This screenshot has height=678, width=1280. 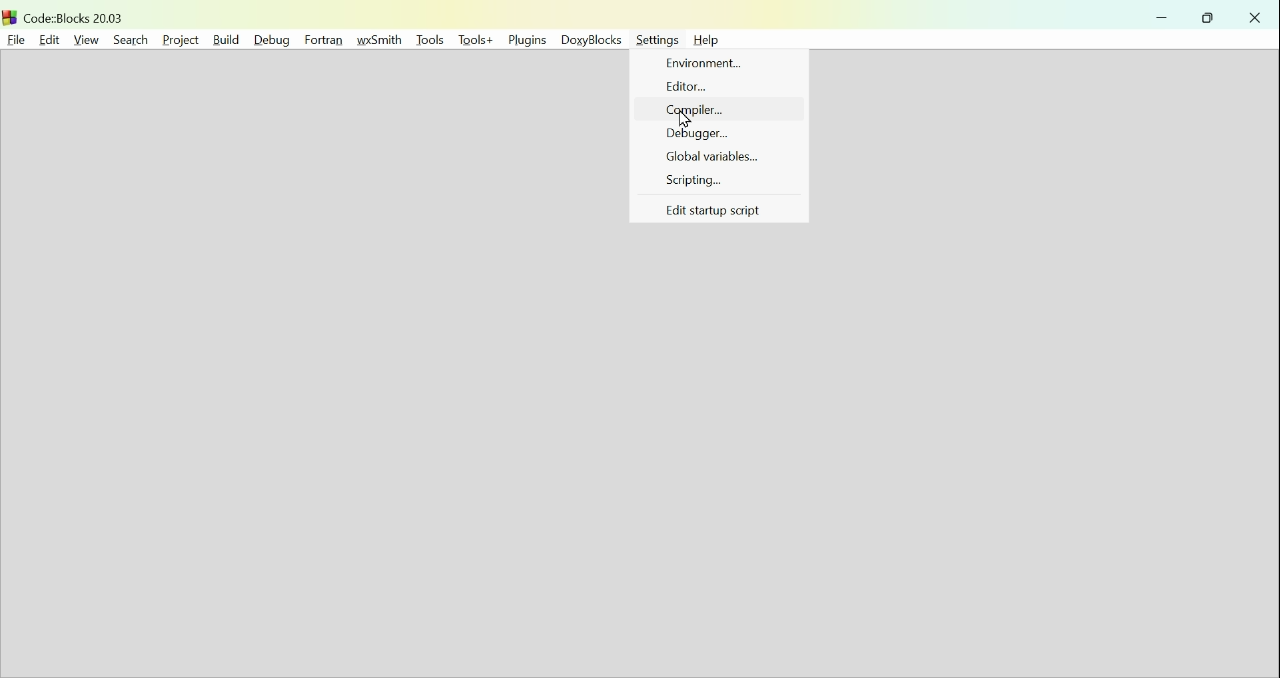 What do you see at coordinates (1162, 17) in the screenshot?
I see `minimise` at bounding box center [1162, 17].